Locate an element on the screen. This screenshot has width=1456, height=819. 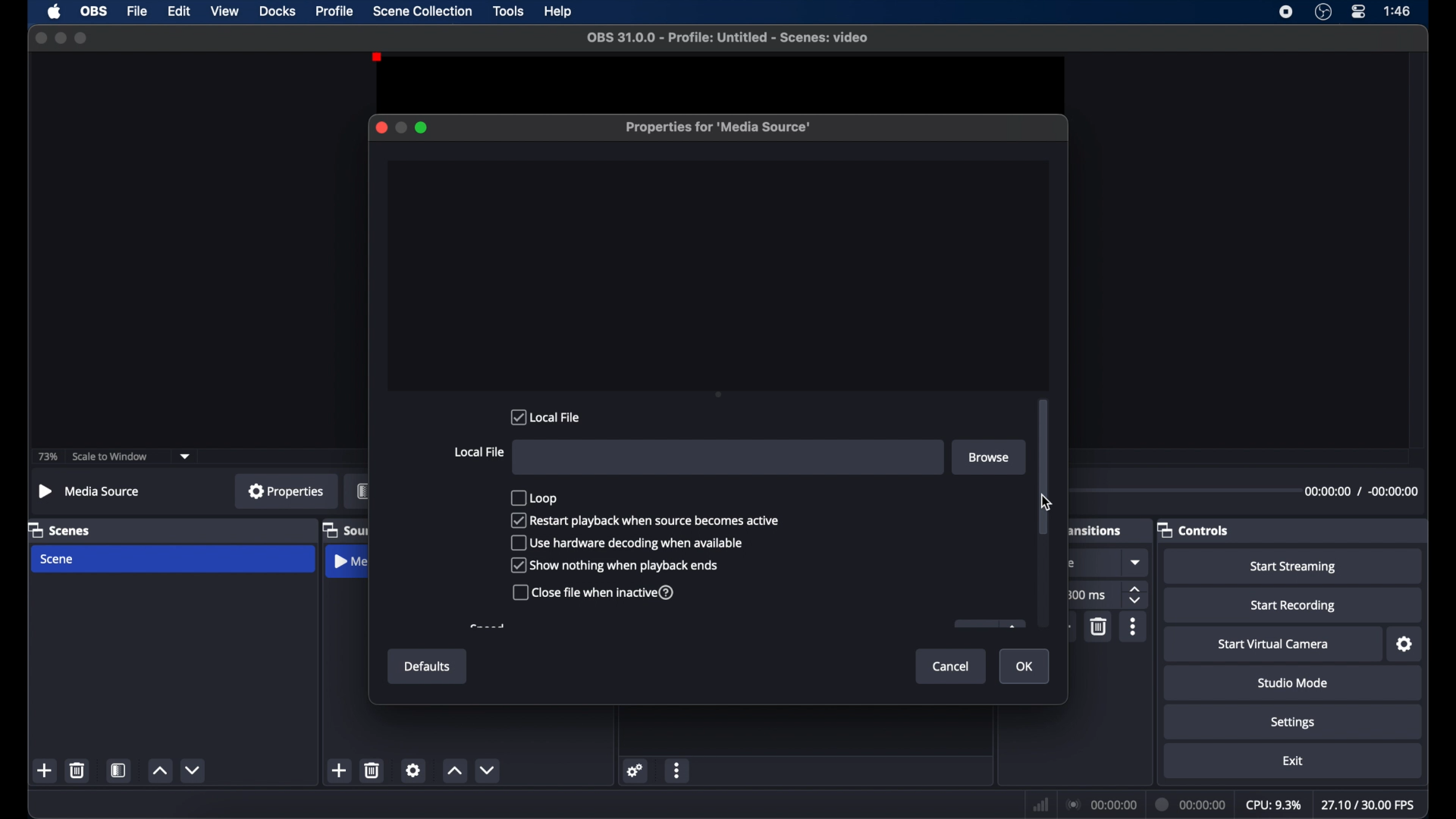
restart playback when source becomes active is located at coordinates (645, 520).